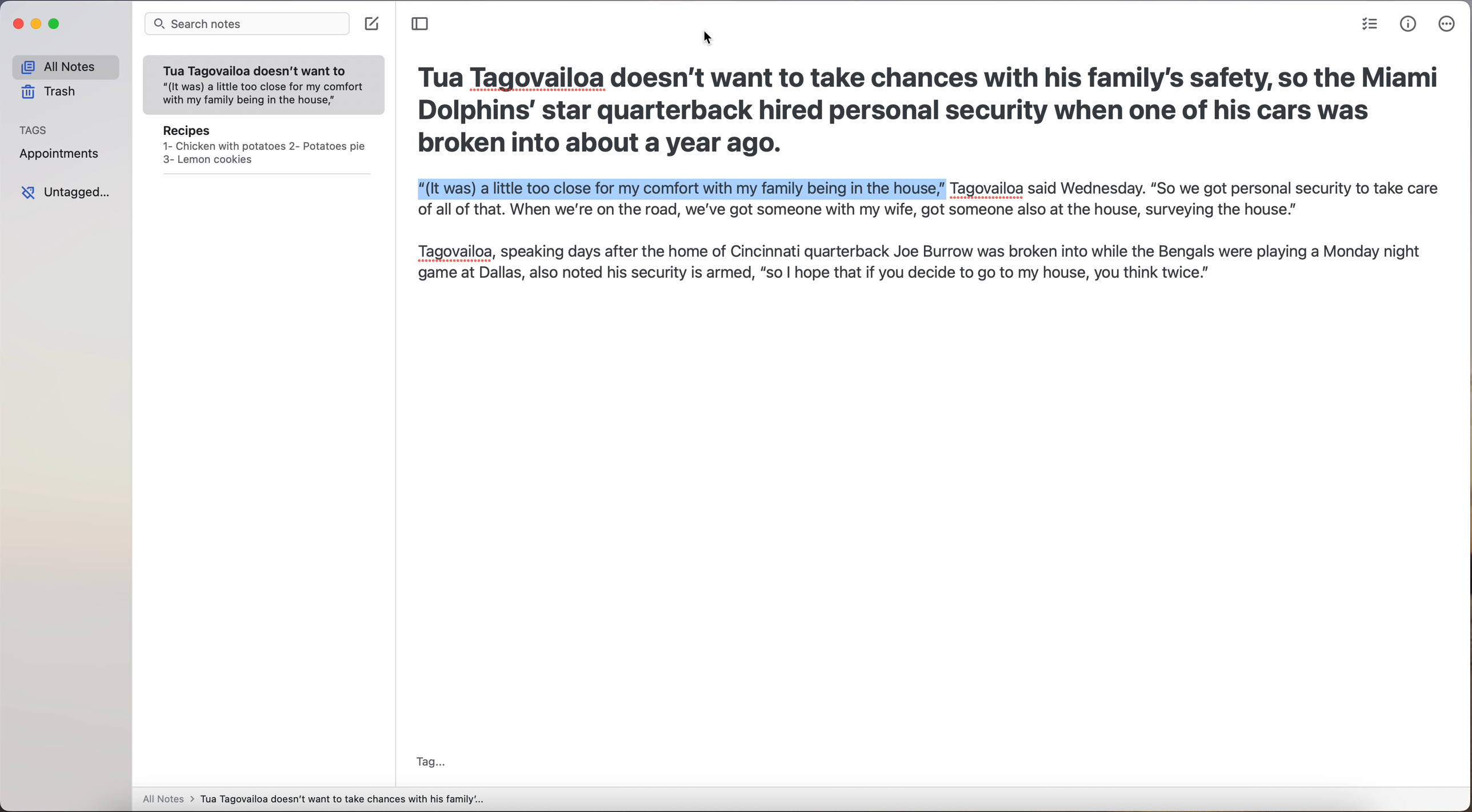 Image resolution: width=1472 pixels, height=812 pixels. Describe the element at coordinates (434, 762) in the screenshot. I see `tag` at that location.